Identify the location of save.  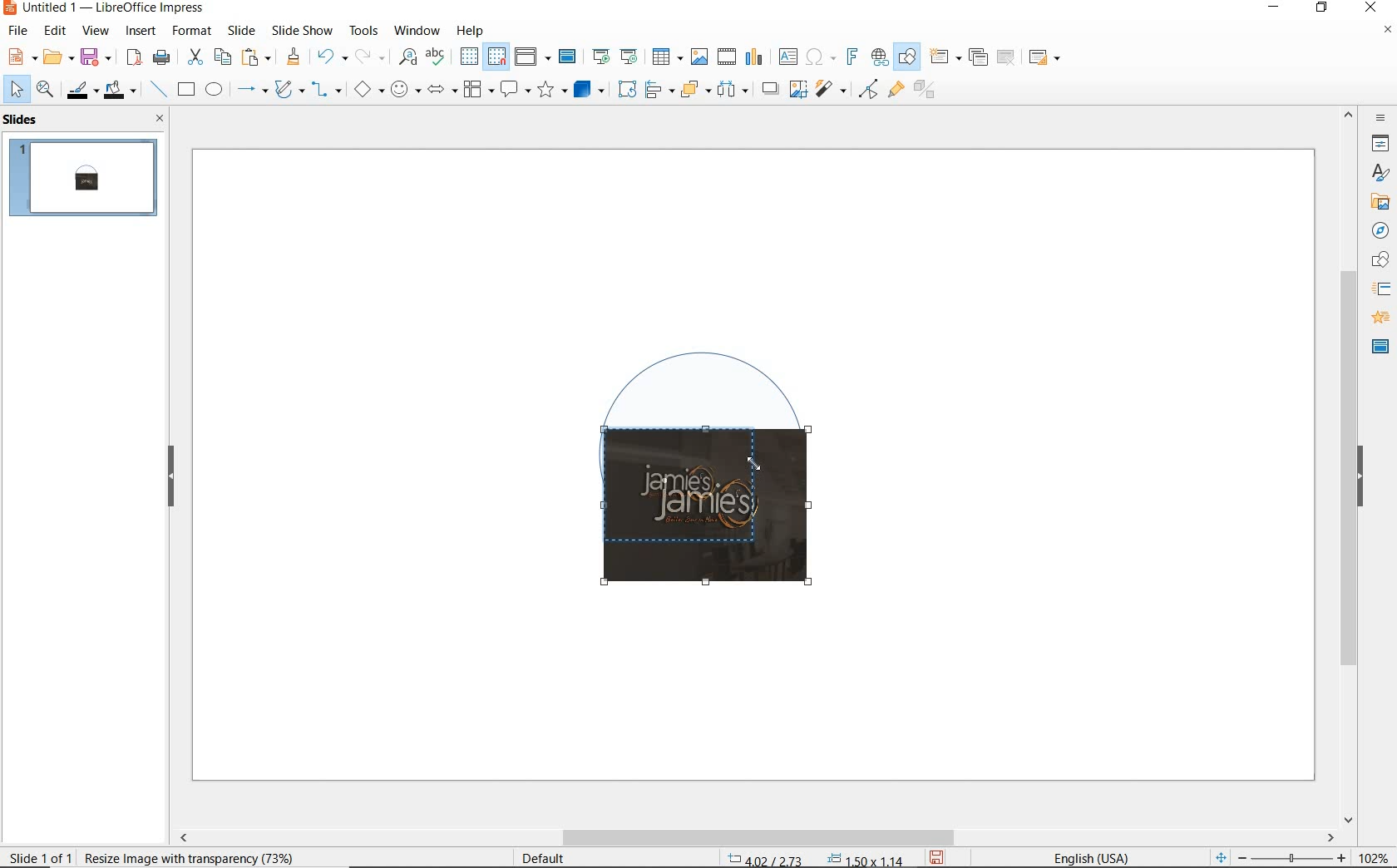
(96, 56).